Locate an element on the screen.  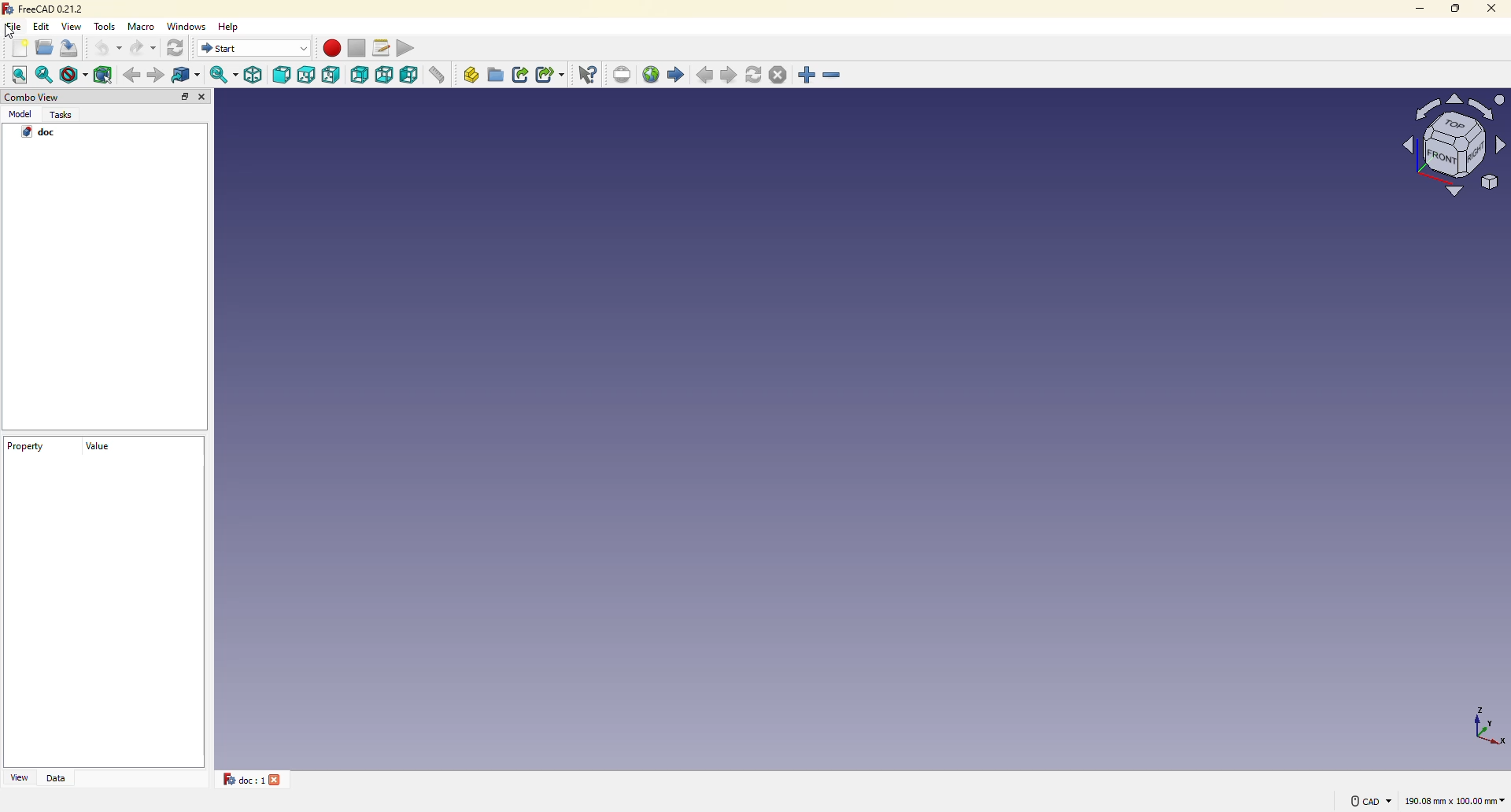
help is located at coordinates (233, 25).